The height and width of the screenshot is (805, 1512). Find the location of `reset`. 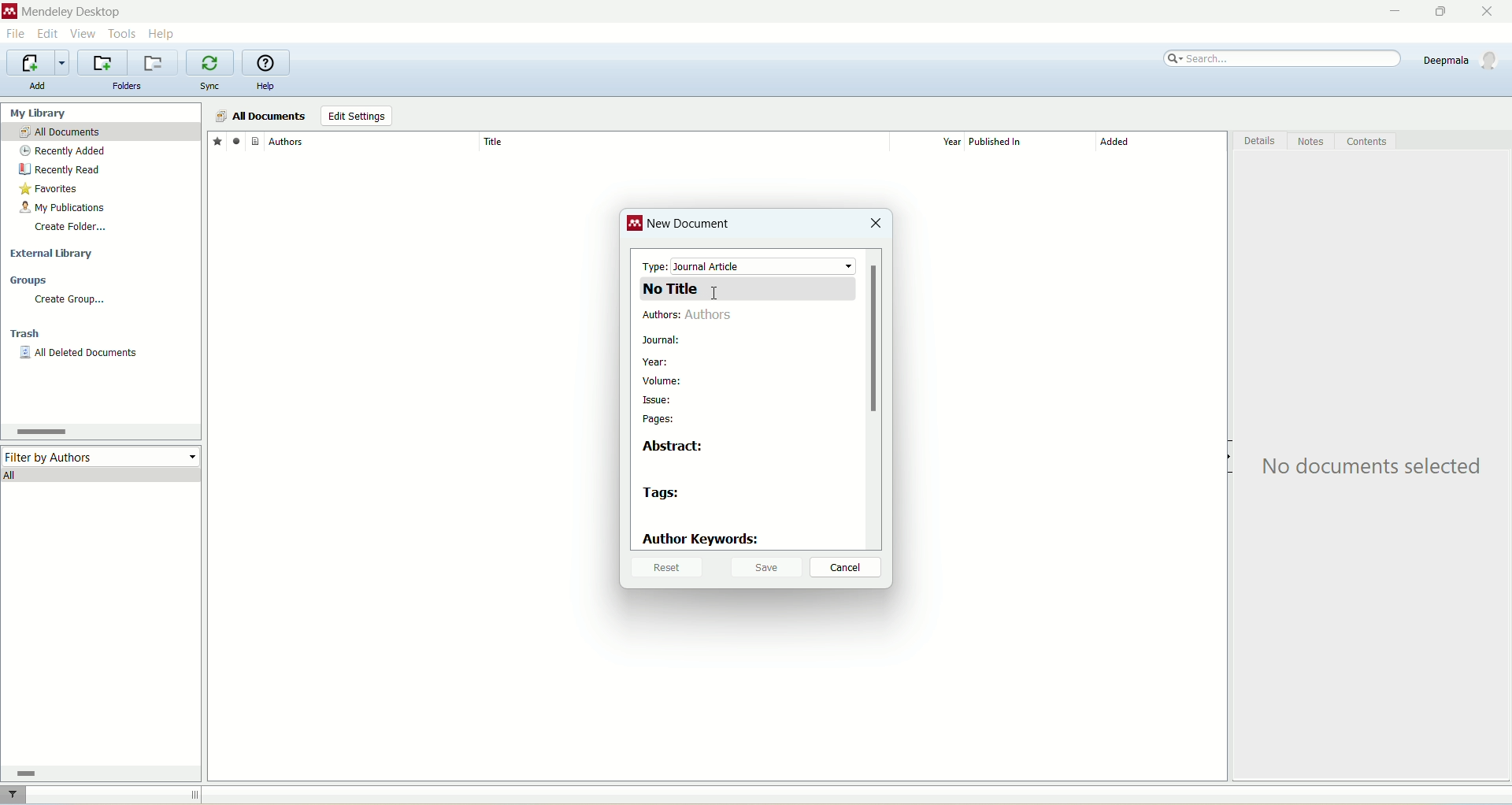

reset is located at coordinates (665, 569).